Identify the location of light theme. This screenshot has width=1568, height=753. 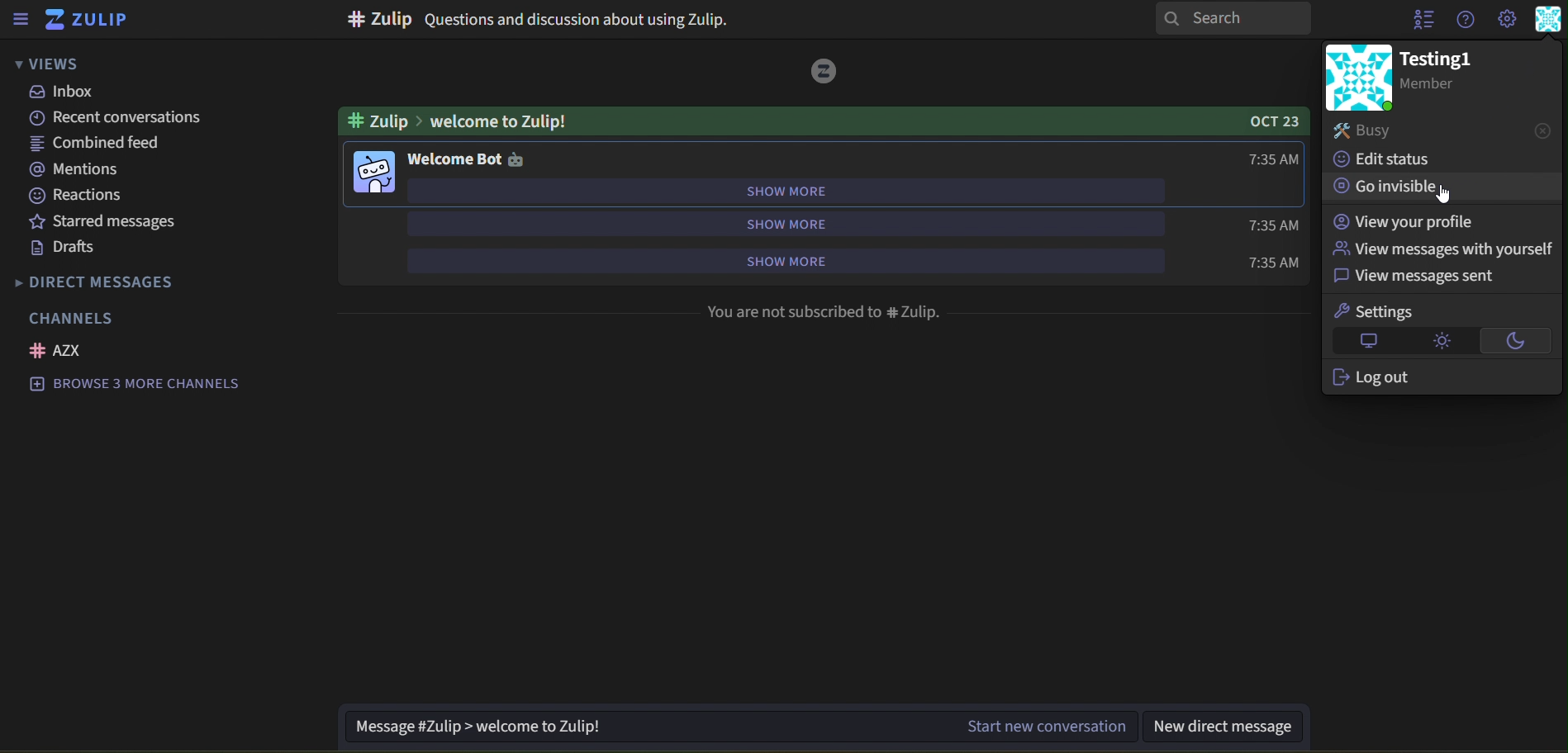
(1440, 340).